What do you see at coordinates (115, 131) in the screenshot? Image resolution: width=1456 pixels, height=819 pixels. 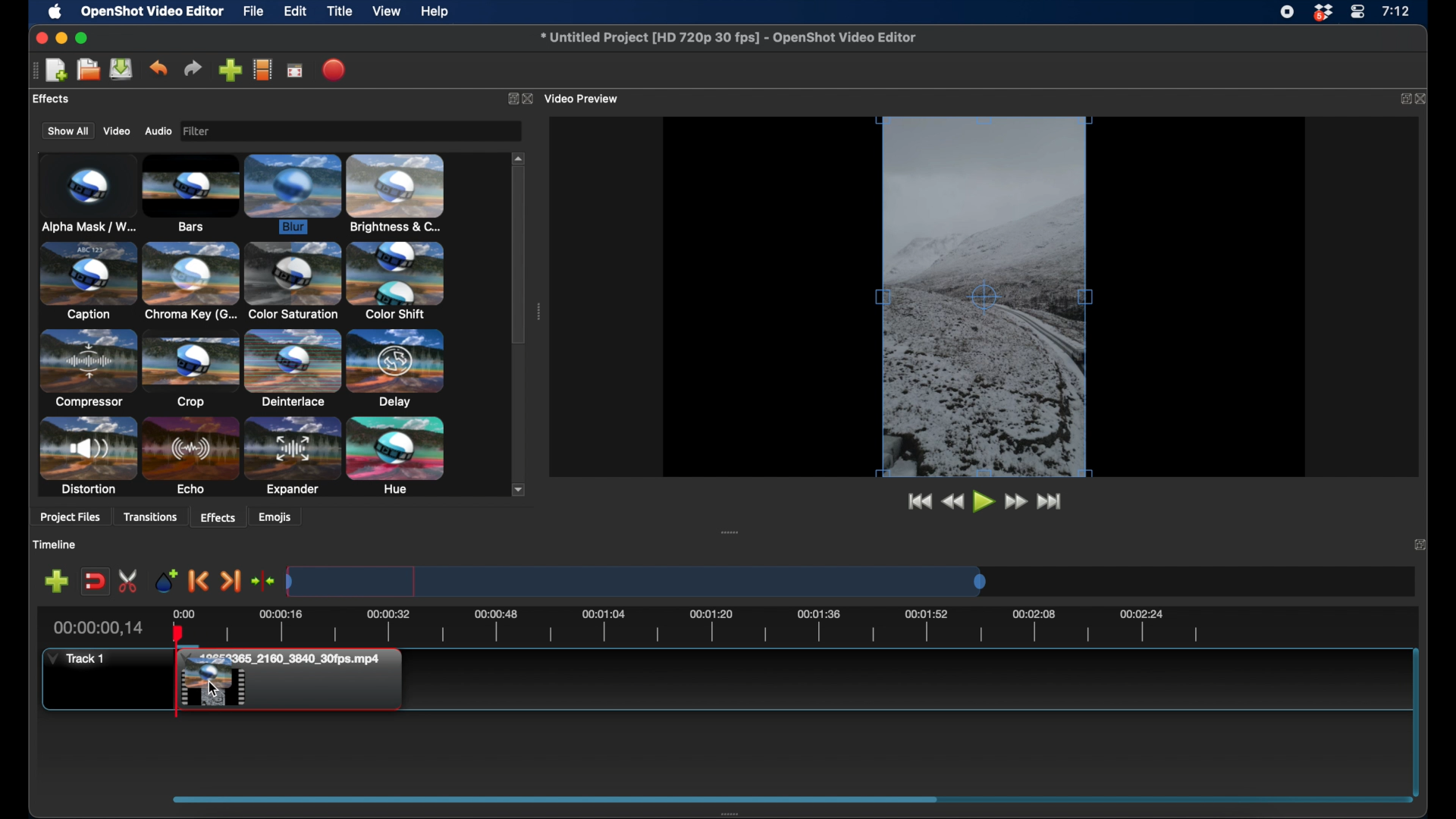 I see `video` at bounding box center [115, 131].